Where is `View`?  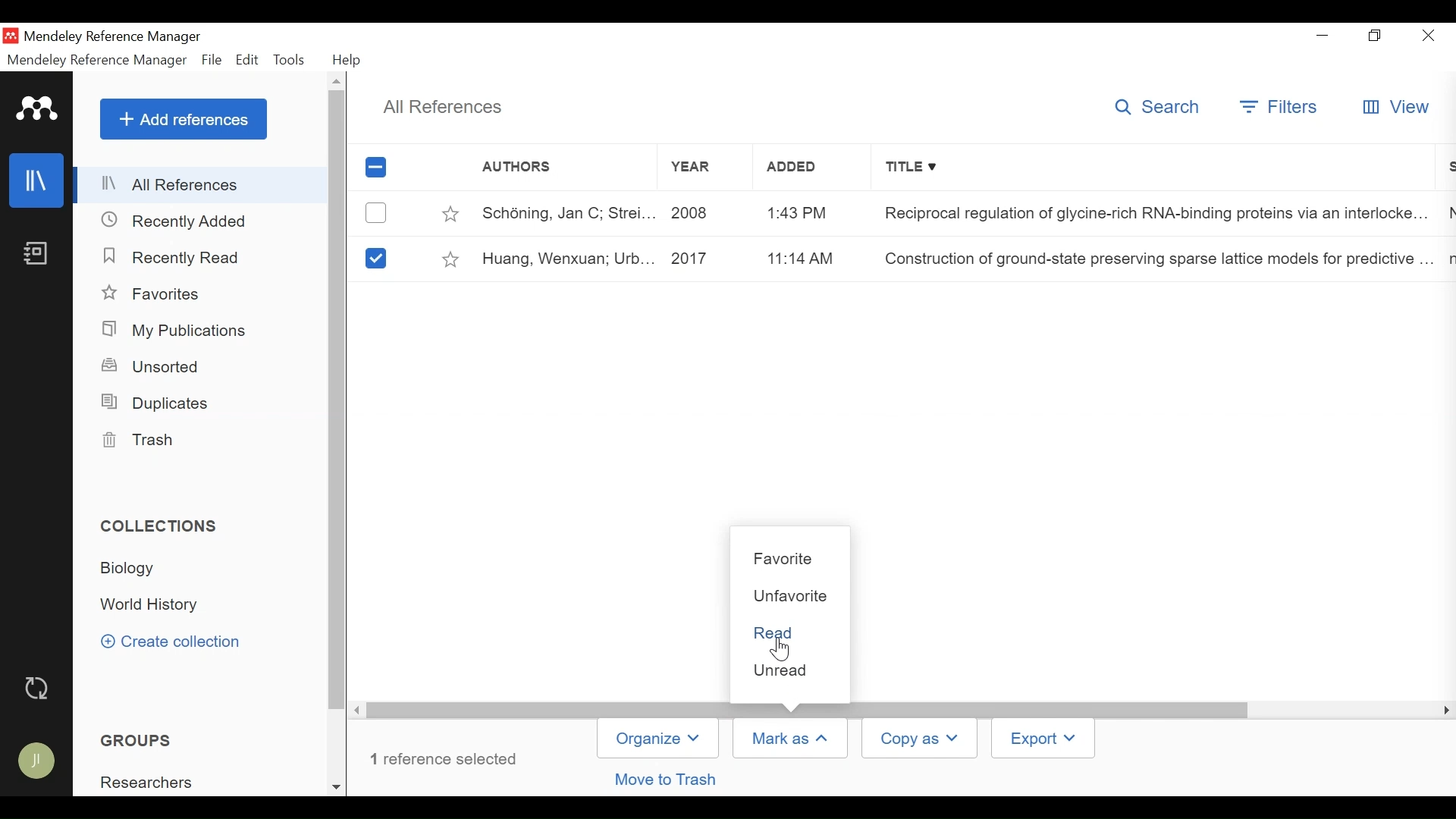 View is located at coordinates (1396, 108).